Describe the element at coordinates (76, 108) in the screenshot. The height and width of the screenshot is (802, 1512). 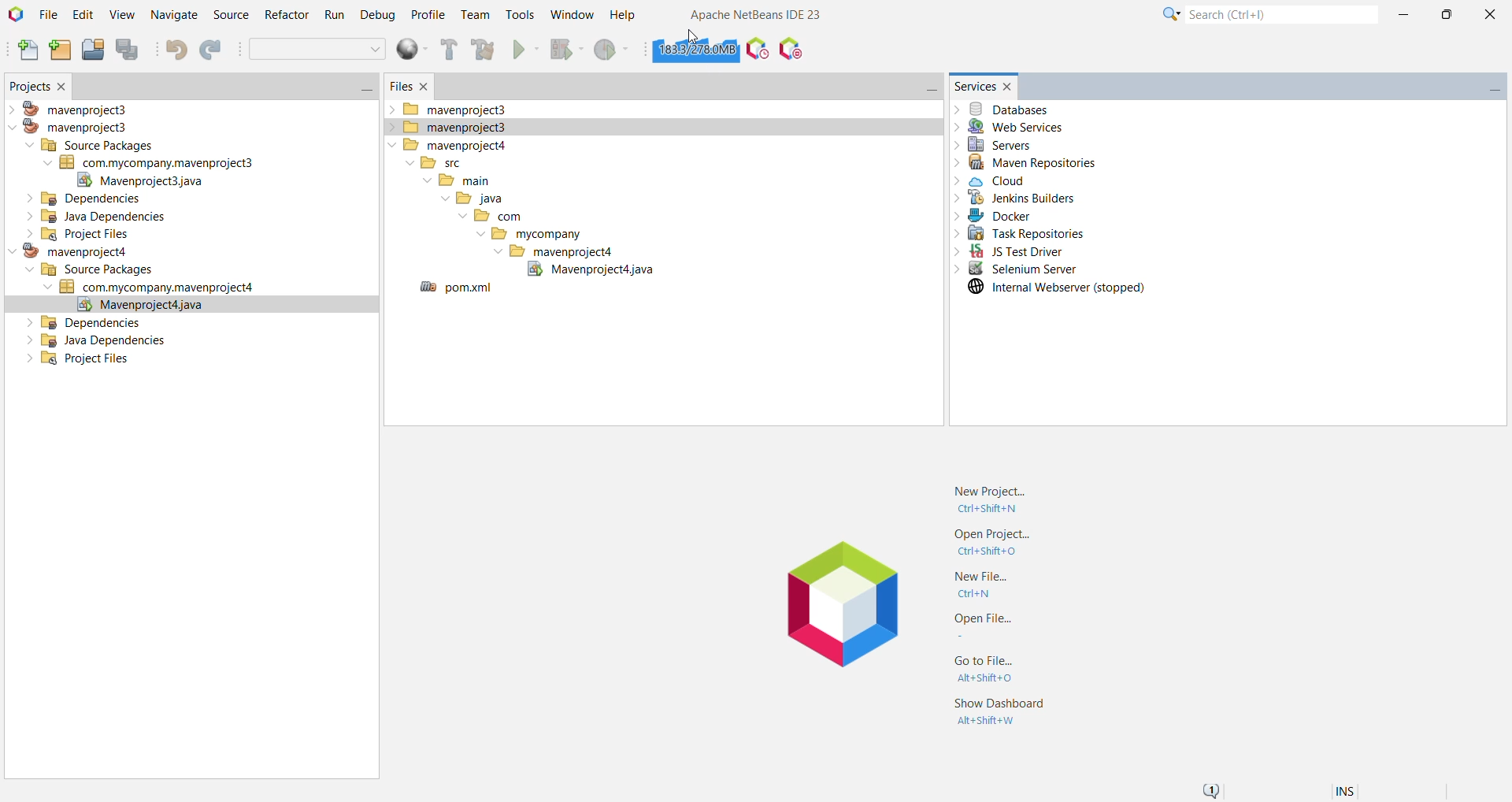
I see `mavenproject3` at that location.